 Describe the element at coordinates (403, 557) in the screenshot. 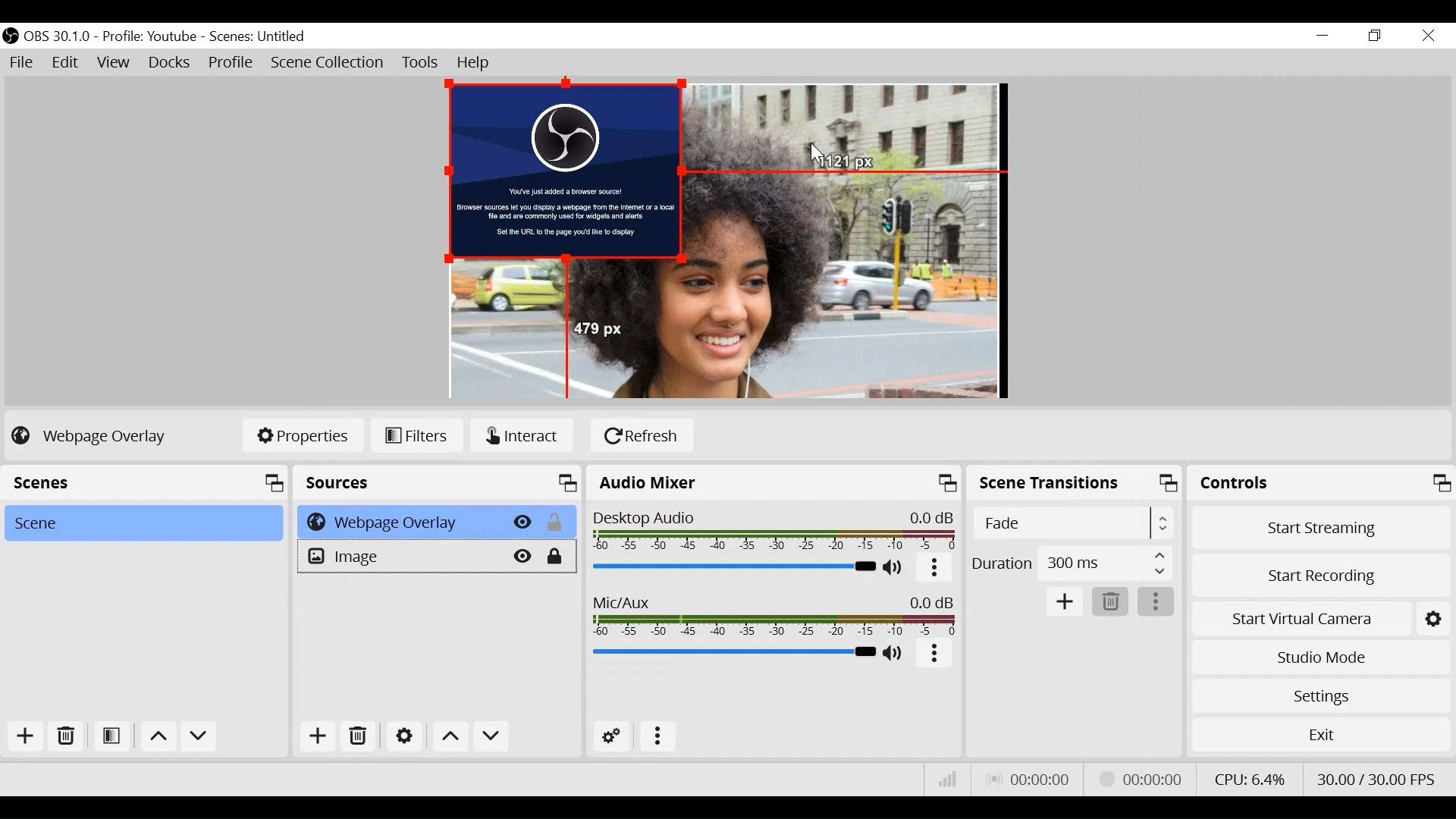

I see `Image` at that location.